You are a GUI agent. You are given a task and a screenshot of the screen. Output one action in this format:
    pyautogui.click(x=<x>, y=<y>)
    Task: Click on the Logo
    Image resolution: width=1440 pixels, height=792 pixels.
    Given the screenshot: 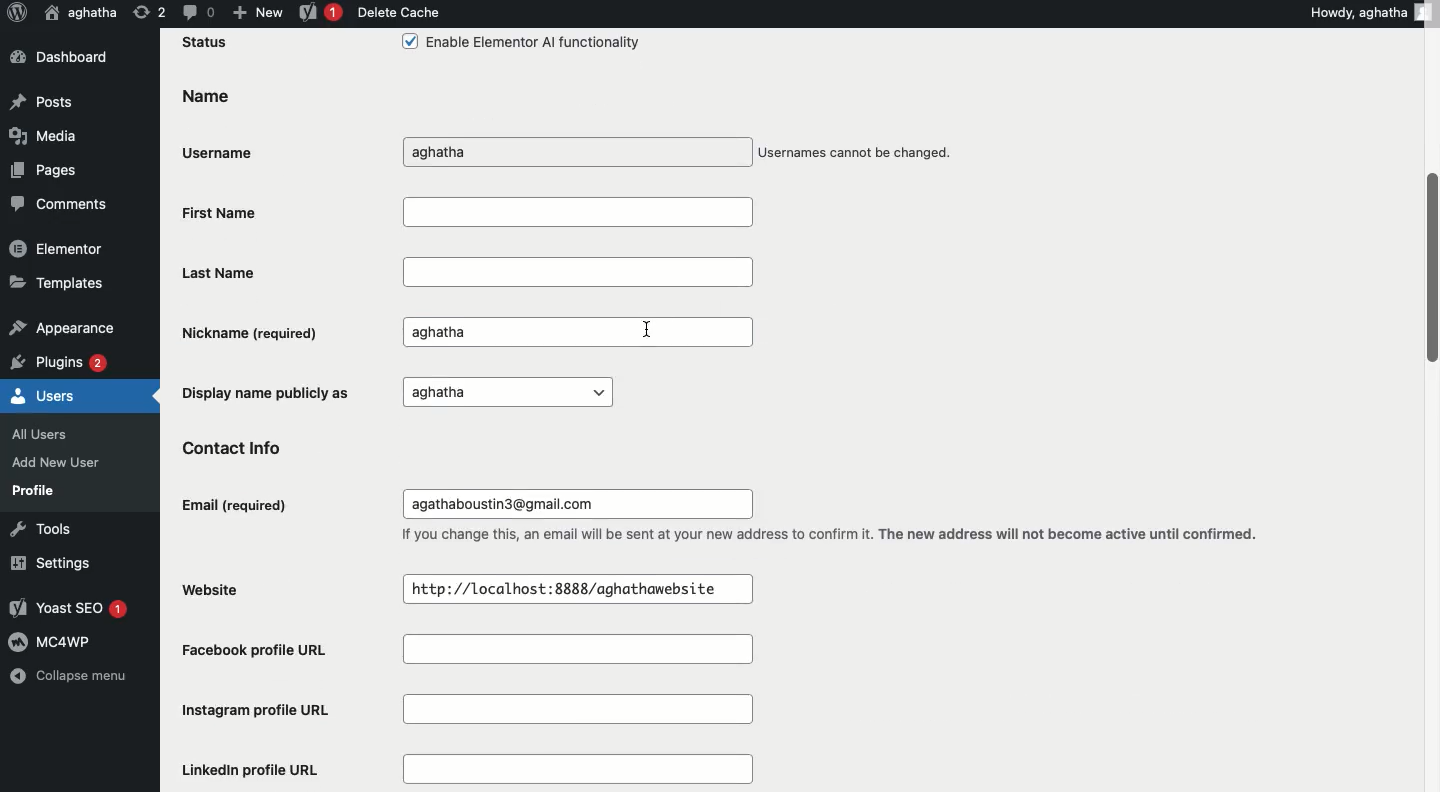 What is the action you would take?
    pyautogui.click(x=16, y=13)
    